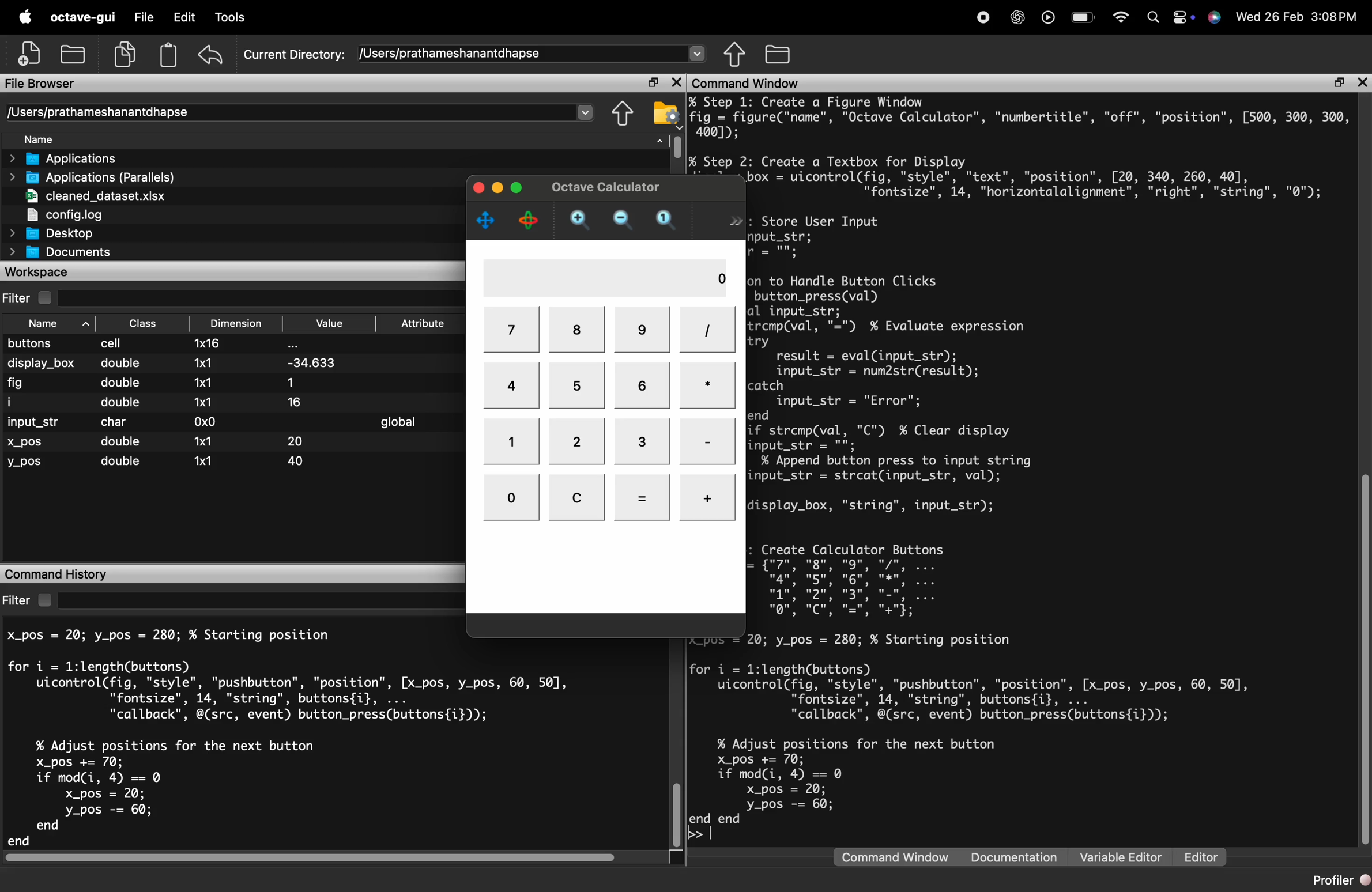 This screenshot has height=892, width=1372. Describe the element at coordinates (1060, 471) in the screenshot. I see `% Step 1X Create a Figure Windofig = figure("name", "Octave Calculator", "numbertitle", "off", "position", [500, 300, 300,4001);% Step 2: Create a Textbox for Displadisplay_box = uicontrol(fig, "style", "text", "position", [20, 340, 260, 40],"fontsize", 14, "horizontalalignment", "right", "string", "0");% Step 3: Store User Input]global input_str;input_str = "";% Function to Handle Button Clicksfunction button_press(val)global input_str;if strcmp(val, "=") % Evaluate expressioltrresult = eval(input_str);input_str = num2str(result);catch)input_str = "Error";endelseif strcmp(val, "C") % Clear display]input_str = "";else % Append button press to input stringinput_str = strcat(input_str, val);endset(display_box, "string", input_str);lend% Step 4: Create Calculator Buttons;buttons = {"7", "8", "9", "/". ...ng’ wgu mg wnqn’ wou mge’ ww’Irfor i = 1:1length(buttons))uicontrol(fig, "style", "pushbutton", "position", [x_pos, y_pos, 60, 507,"fontsize", 14, "string", buttons{i}, ..."callback", @(src, event) button_press(buttons{i}));% Adjust positions for the next button)X_pos += 70;if mod(i, 4) == 0x_pos = 20;_pos -= 60;end end` at that location.